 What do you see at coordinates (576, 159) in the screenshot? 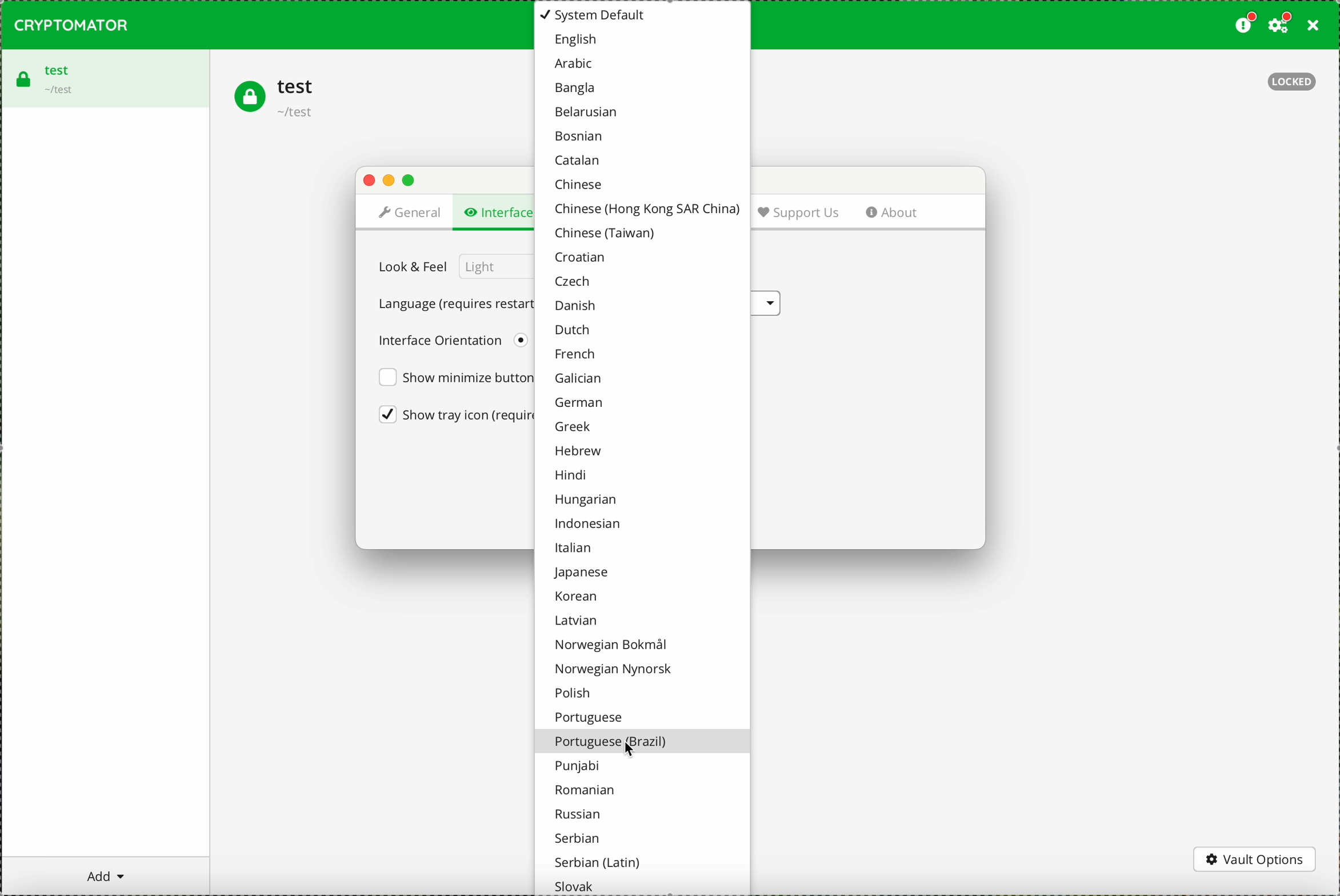
I see `catalan` at bounding box center [576, 159].